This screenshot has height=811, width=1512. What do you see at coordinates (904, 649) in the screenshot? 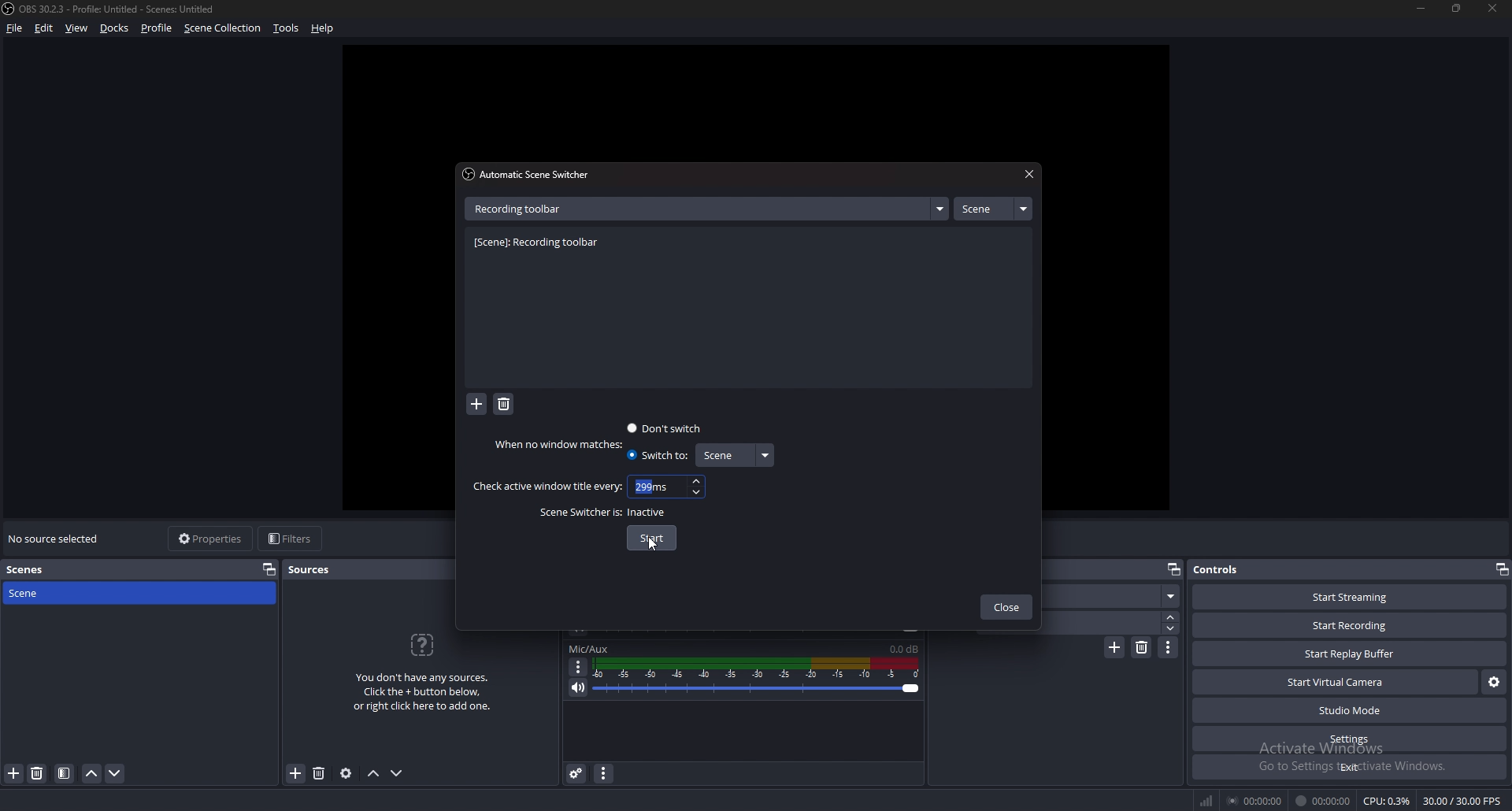
I see `volume level` at bounding box center [904, 649].